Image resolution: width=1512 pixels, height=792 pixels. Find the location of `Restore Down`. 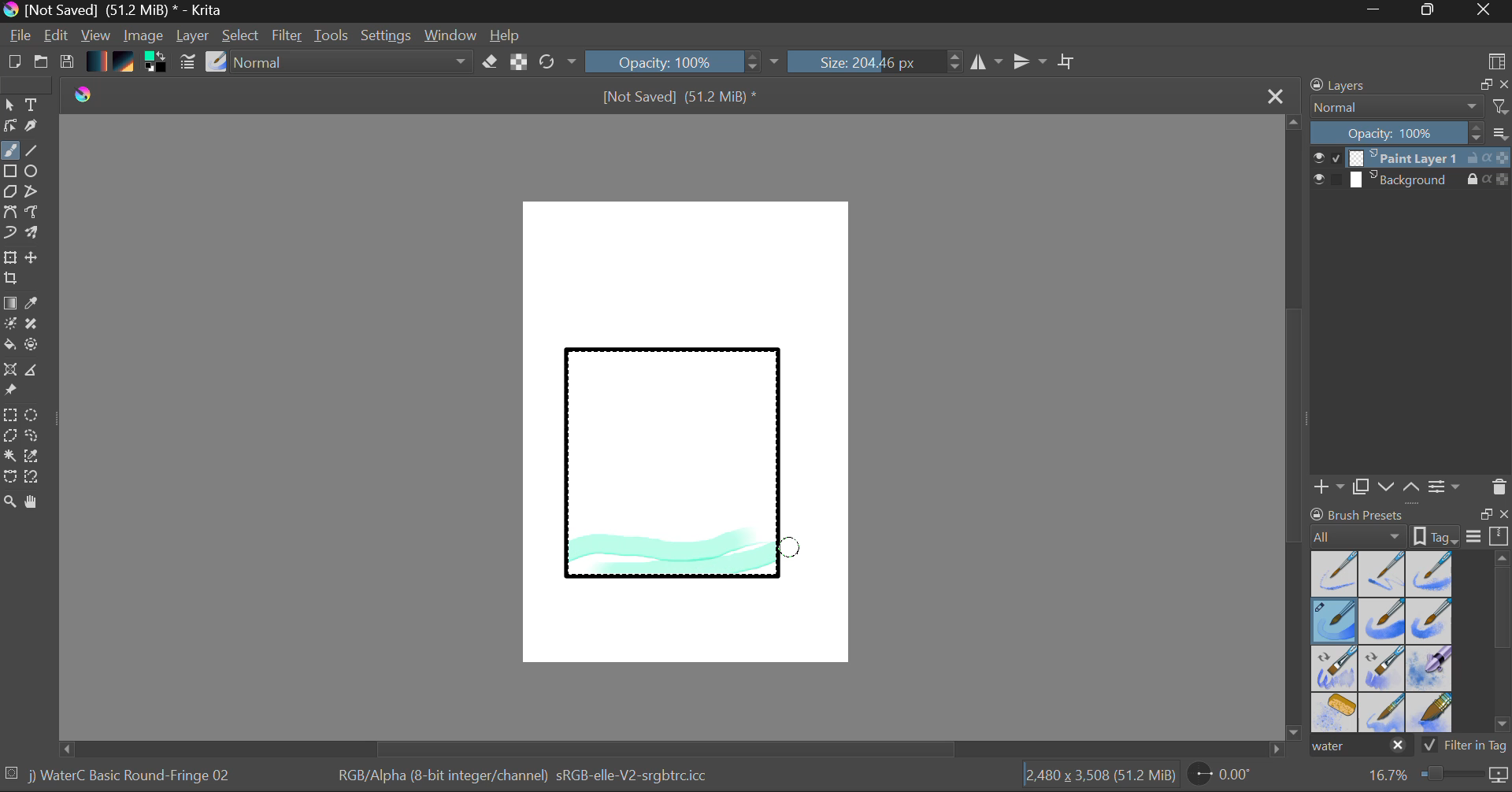

Restore Down is located at coordinates (1379, 11).